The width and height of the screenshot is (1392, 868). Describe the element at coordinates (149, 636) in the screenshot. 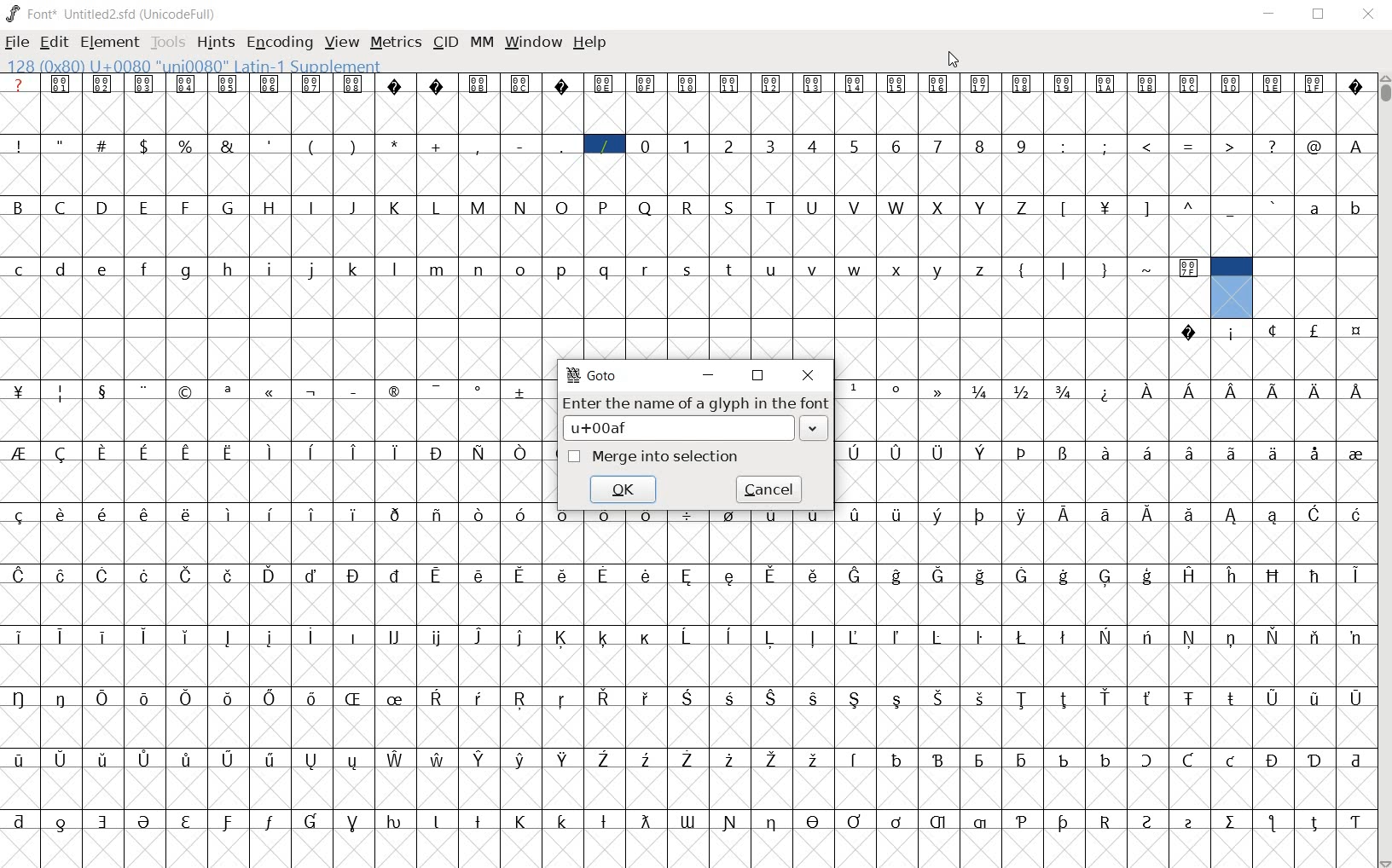

I see `Symbol` at that location.